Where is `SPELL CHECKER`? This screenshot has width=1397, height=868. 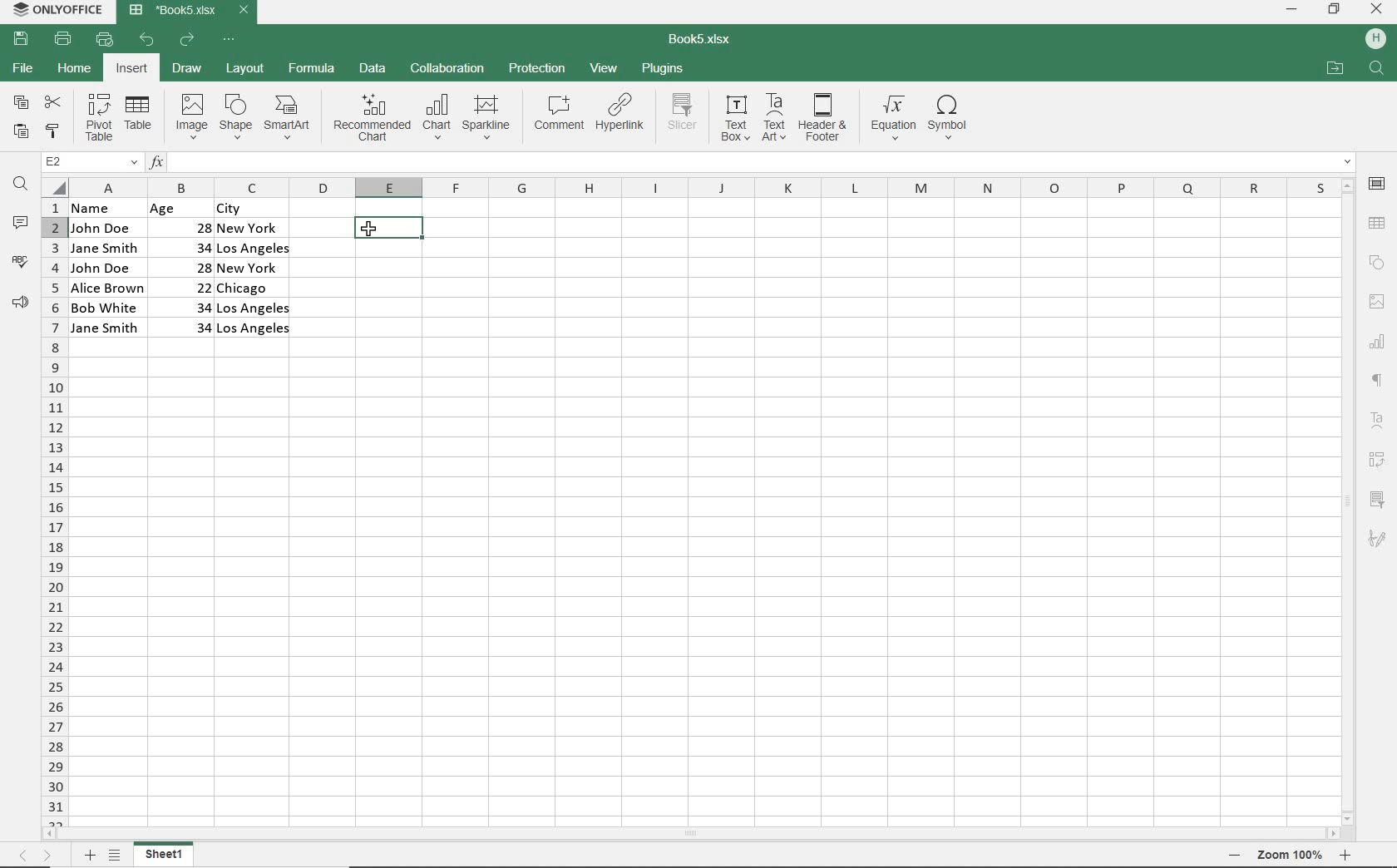 SPELL CHECKER is located at coordinates (20, 265).